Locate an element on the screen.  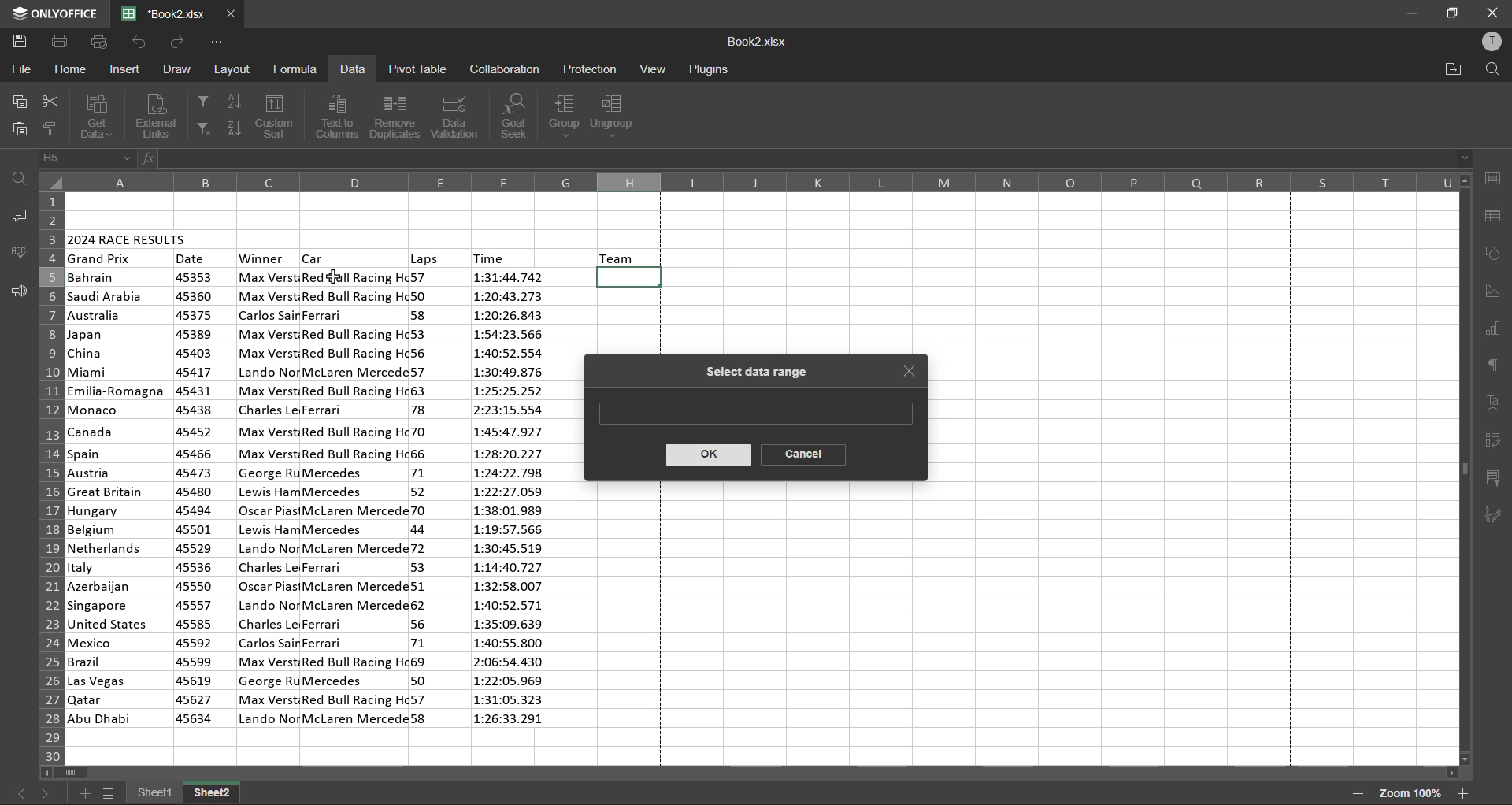
file is located at coordinates (19, 69).